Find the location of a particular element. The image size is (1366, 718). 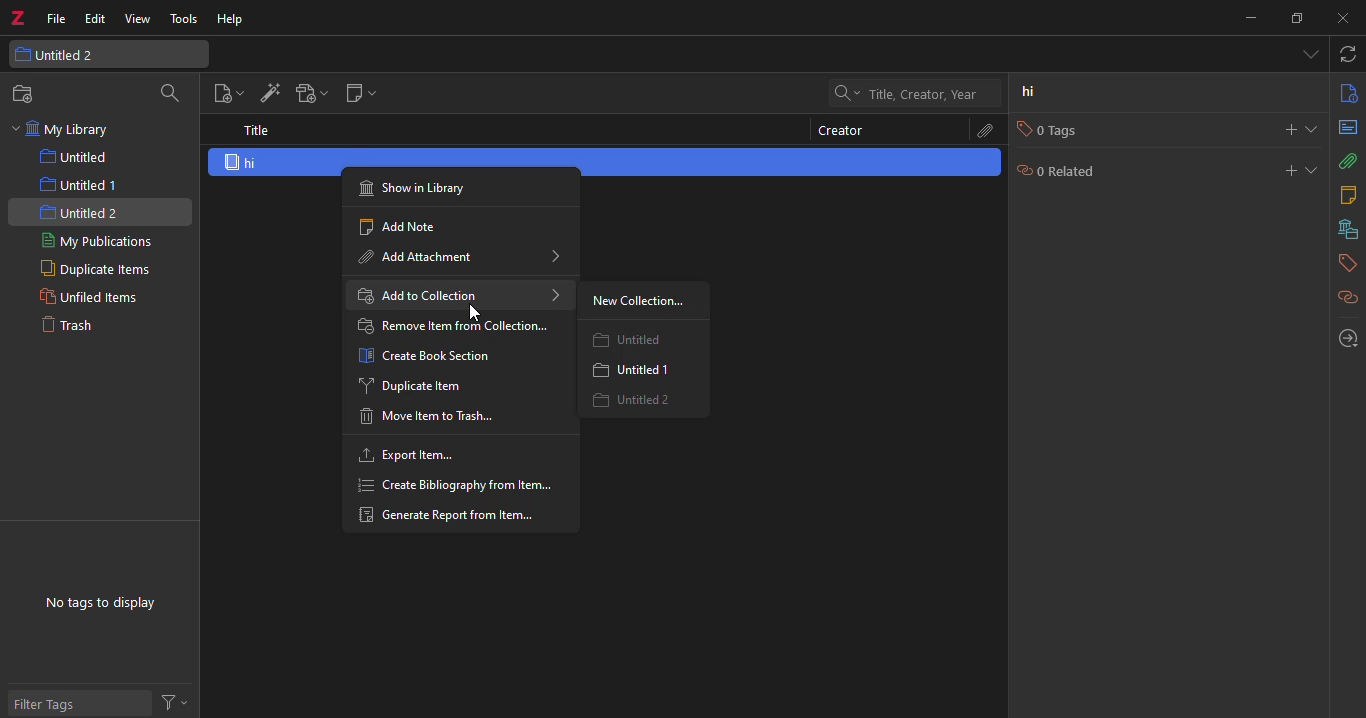

hi is located at coordinates (1029, 92).